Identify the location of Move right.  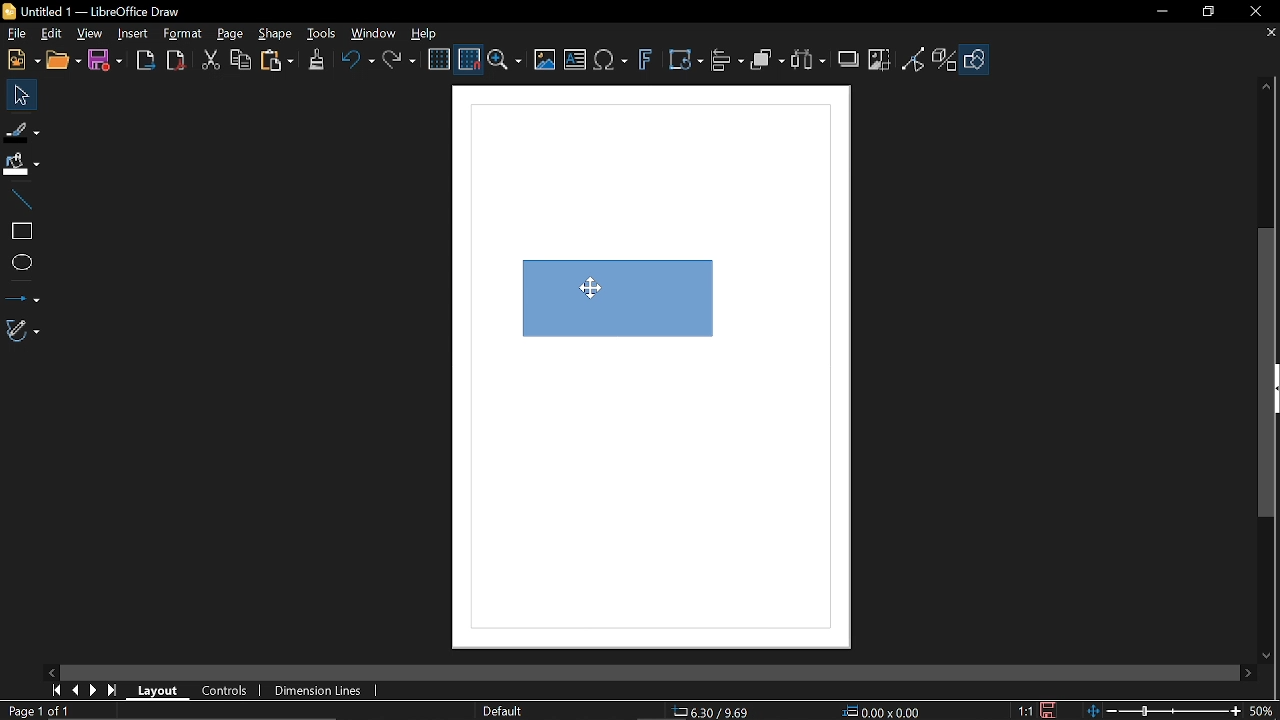
(1250, 674).